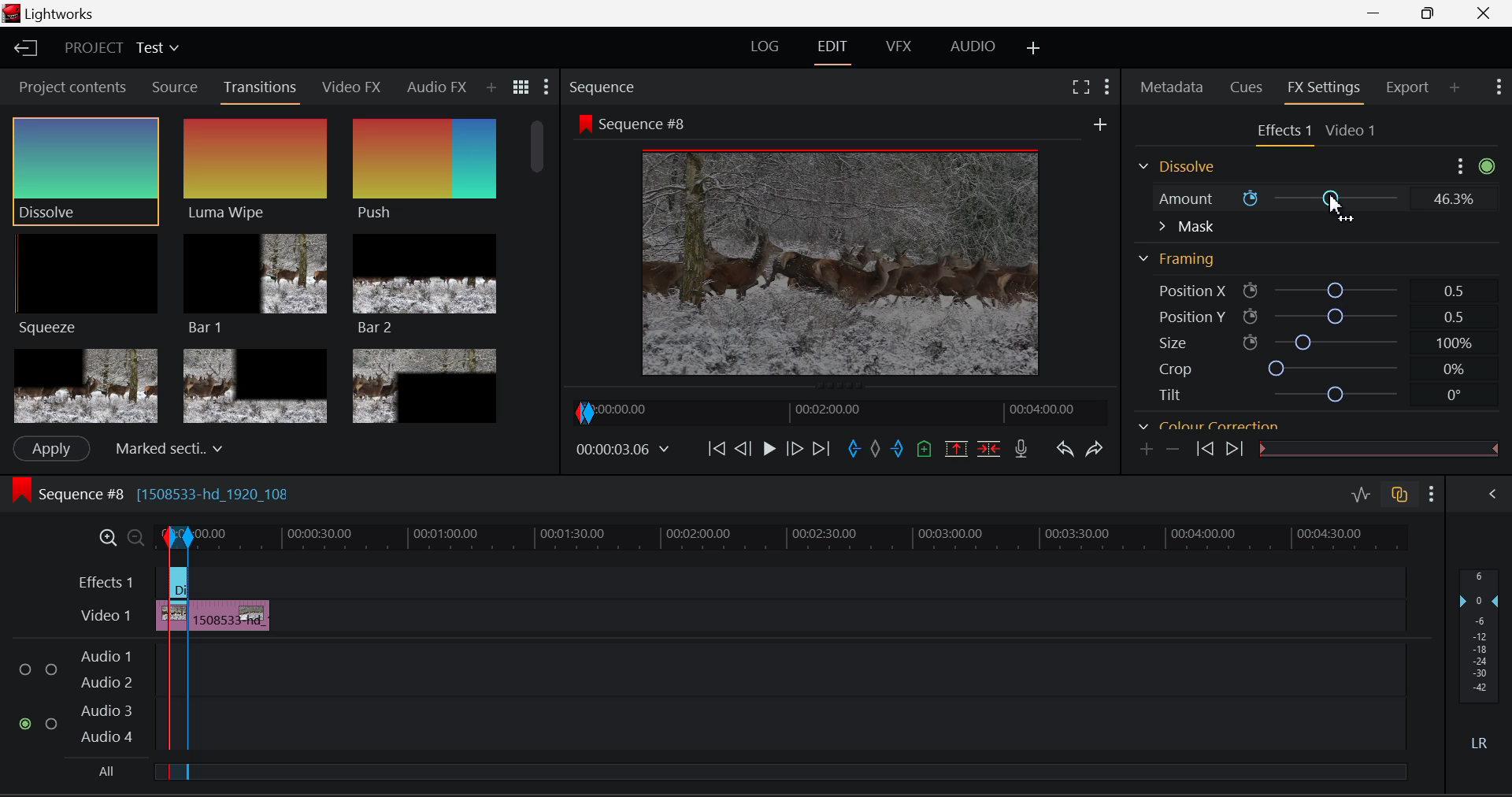  I want to click on Window Title, so click(50, 13).